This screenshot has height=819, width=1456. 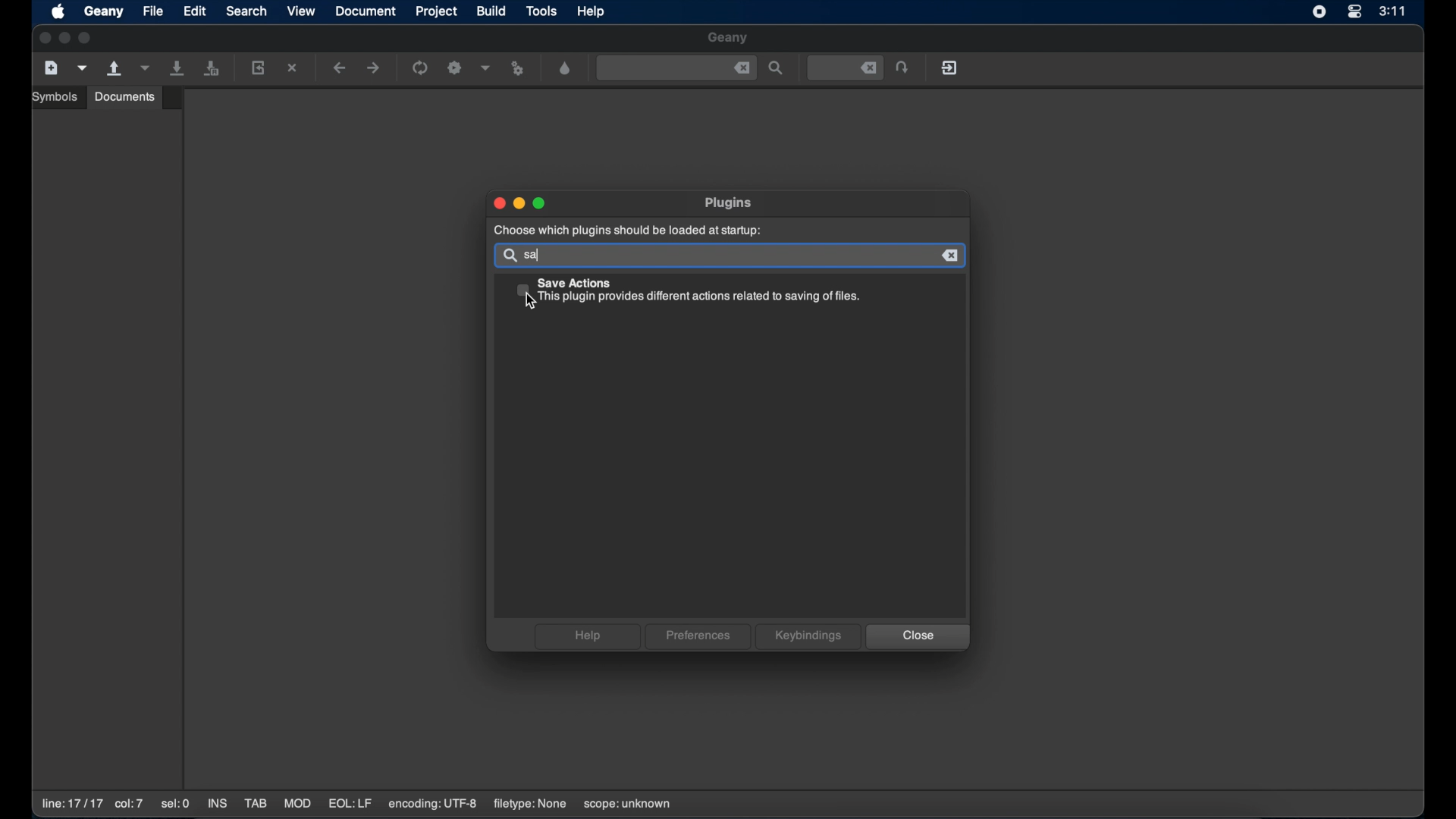 I want to click on close, so click(x=43, y=39).